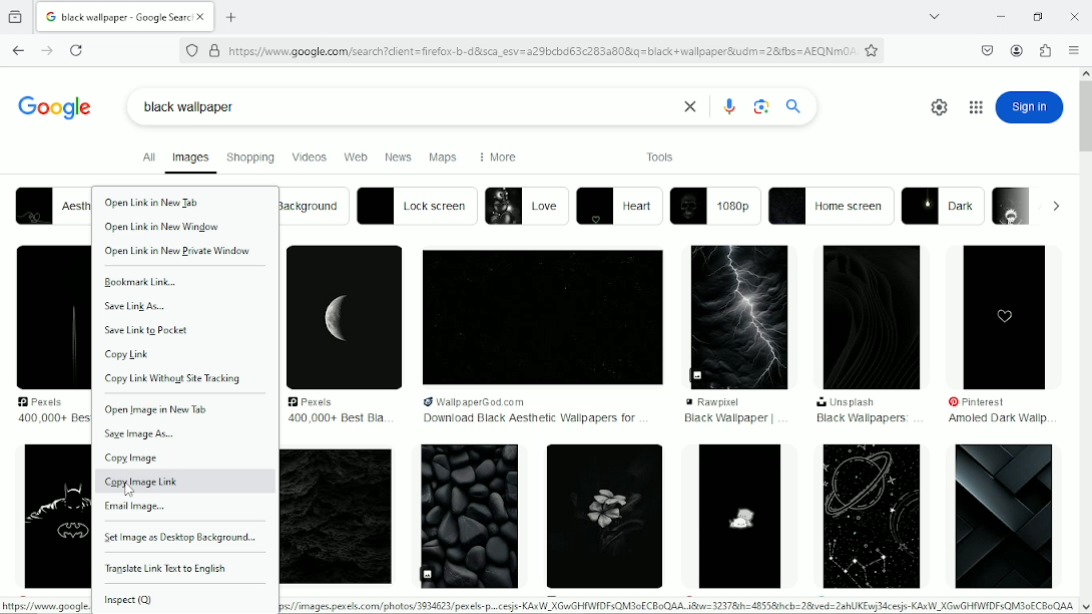 Image resolution: width=1092 pixels, height=614 pixels. I want to click on Close, so click(1075, 15).